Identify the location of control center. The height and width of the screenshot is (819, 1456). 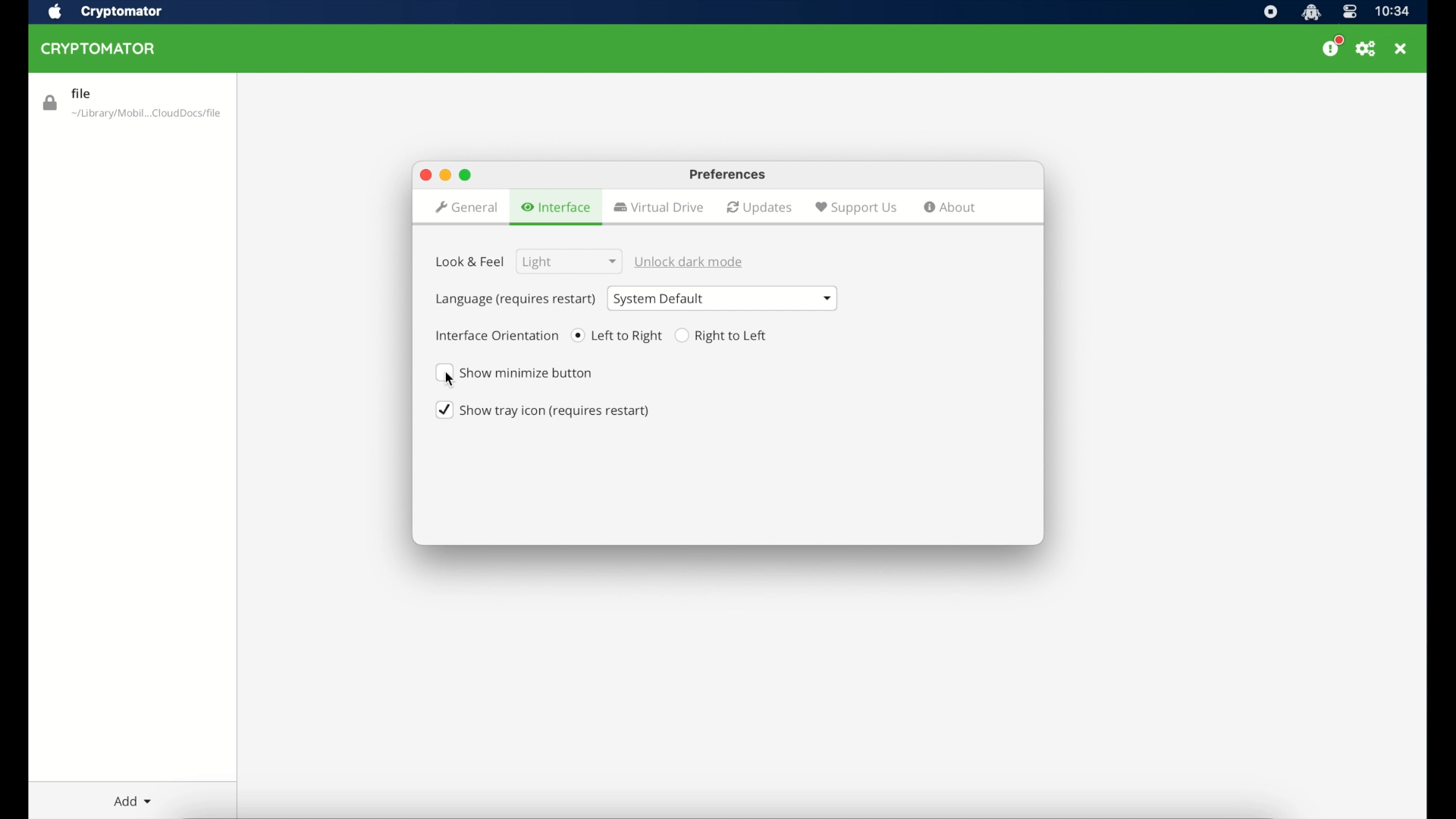
(1348, 12).